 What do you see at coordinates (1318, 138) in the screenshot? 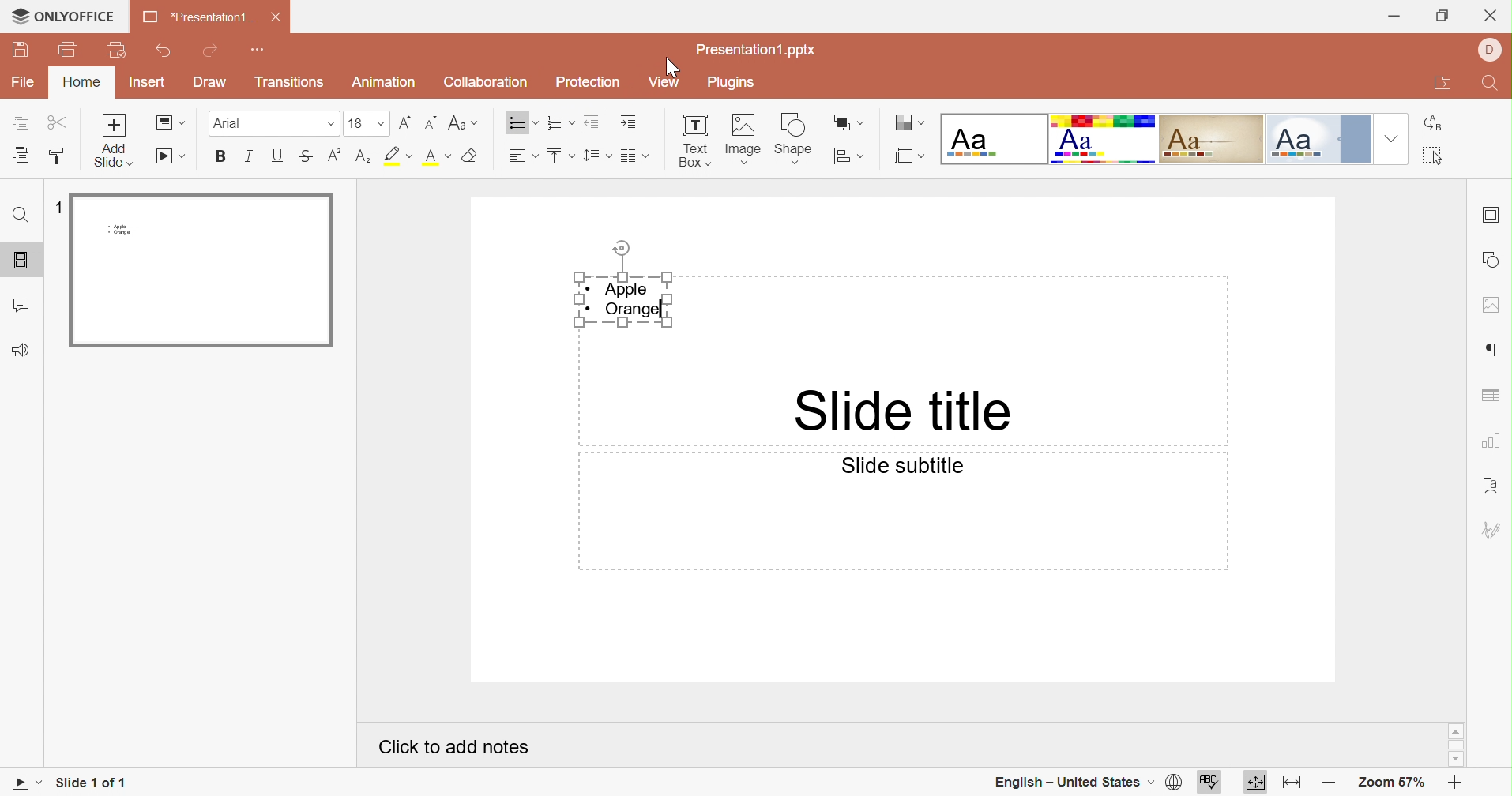
I see `Official` at bounding box center [1318, 138].